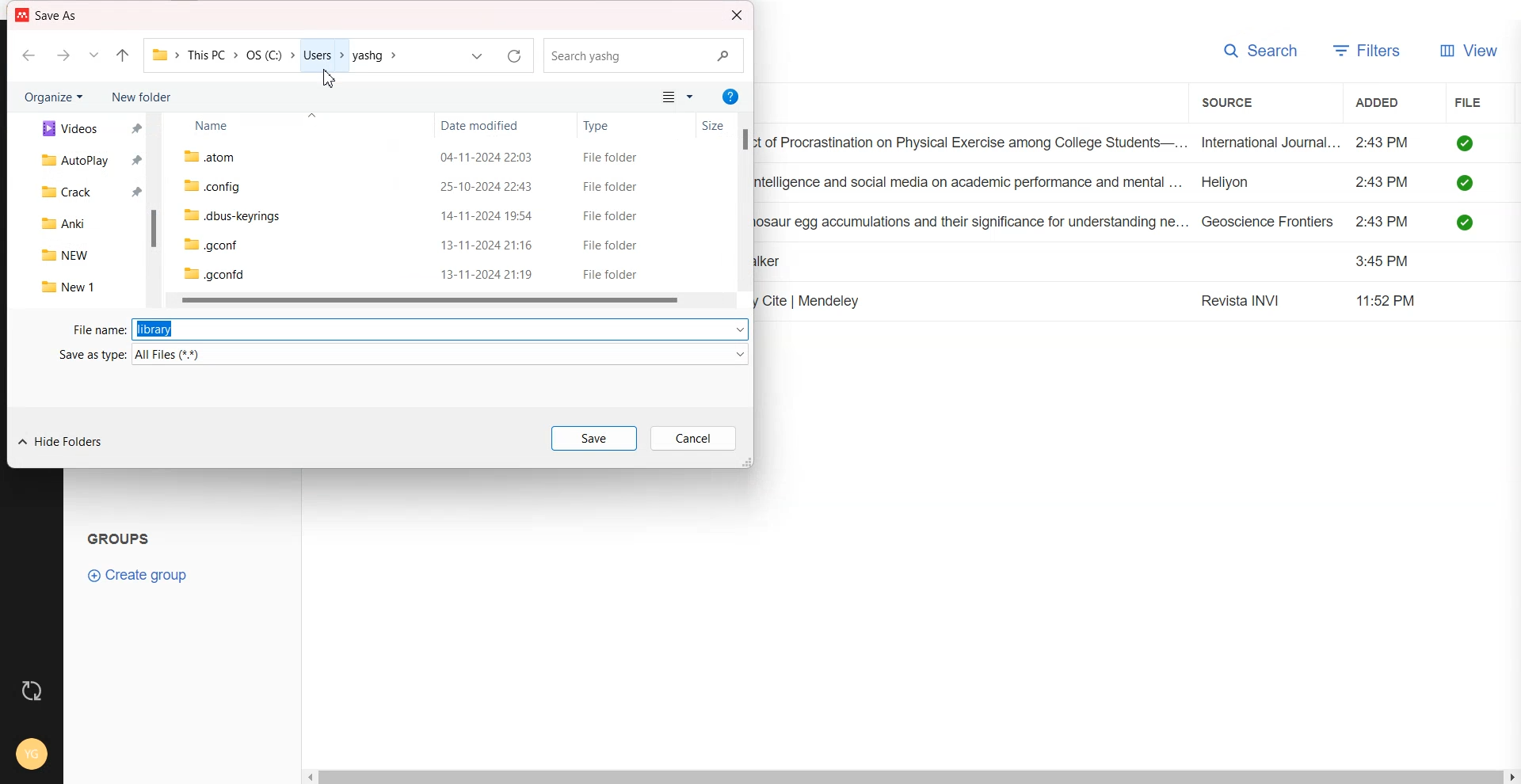 The image size is (1521, 784). What do you see at coordinates (308, 776) in the screenshot?
I see `scroll left` at bounding box center [308, 776].